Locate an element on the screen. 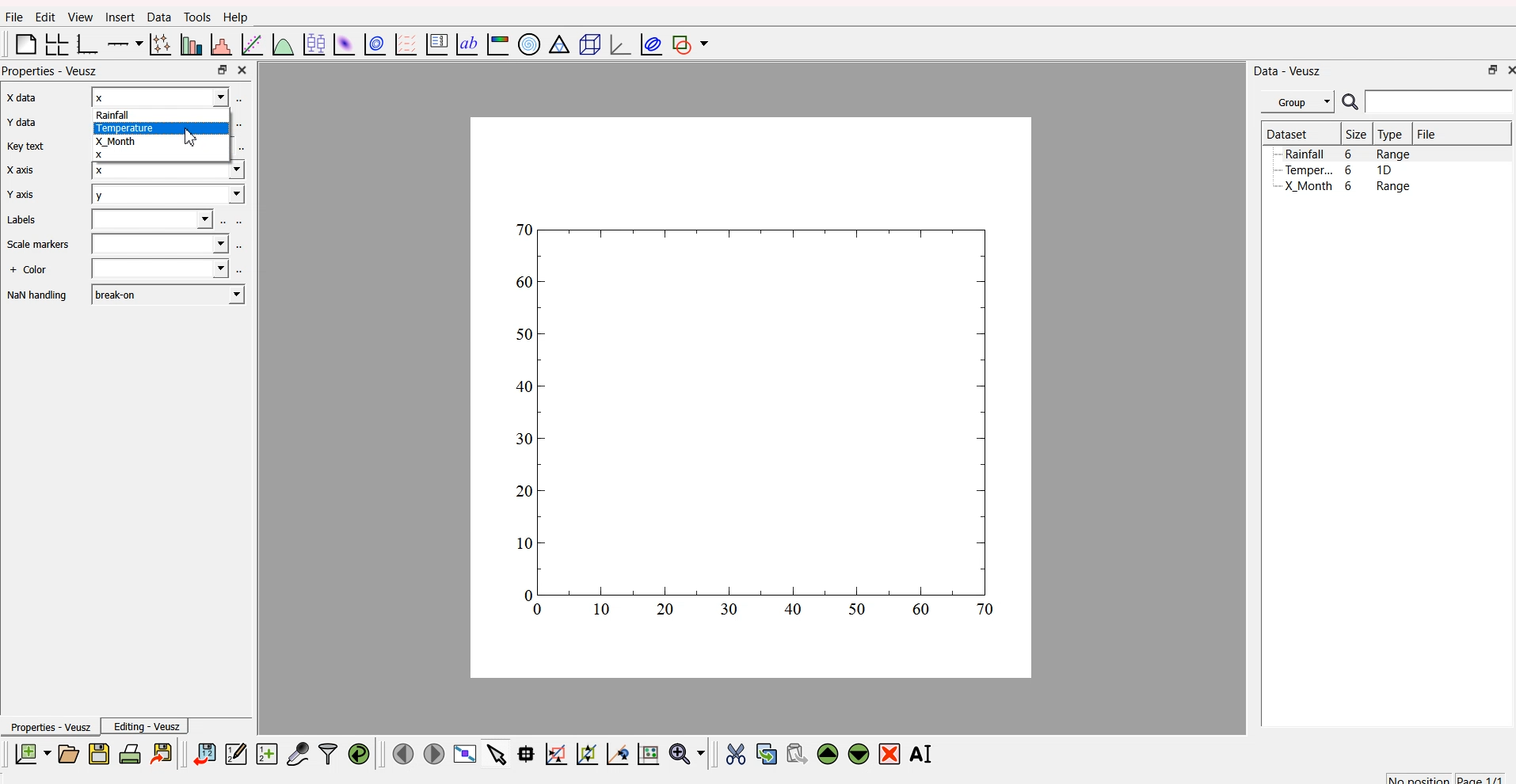 This screenshot has height=784, width=1516. Data - Veusz is located at coordinates (1289, 70).